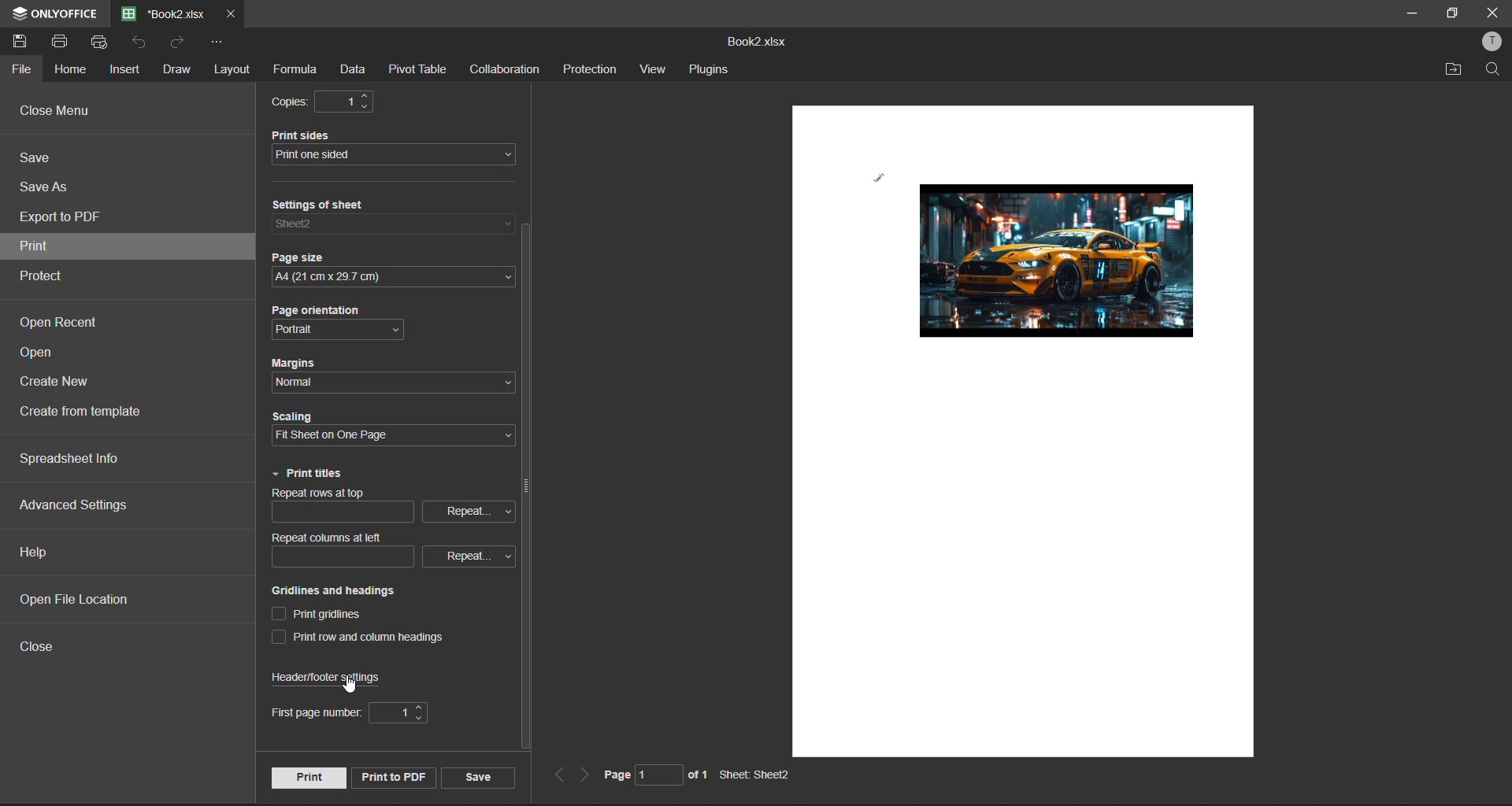 The image size is (1512, 806). I want to click on close tab, so click(229, 16).